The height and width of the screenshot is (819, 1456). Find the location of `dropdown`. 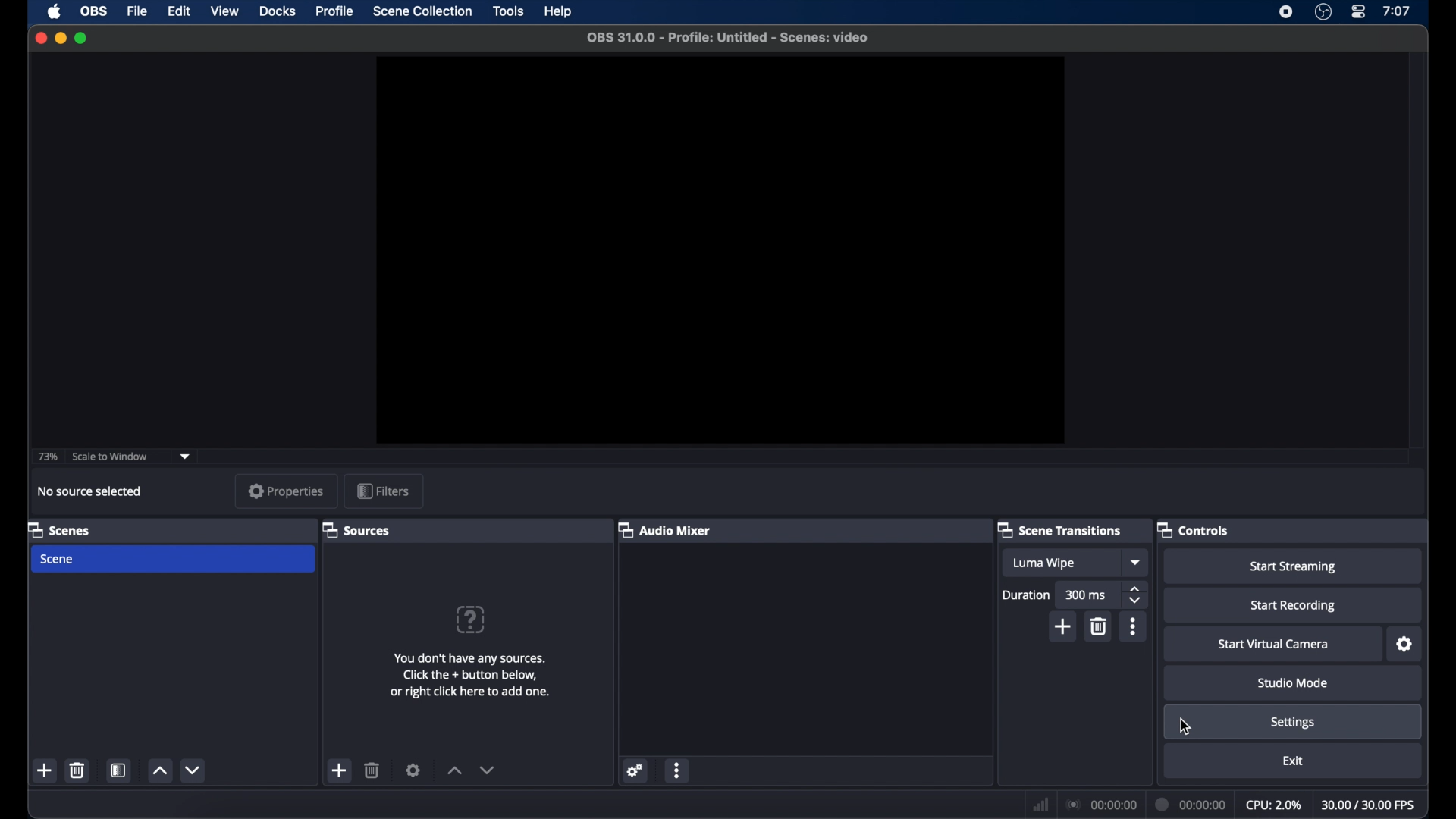

dropdown is located at coordinates (186, 456).